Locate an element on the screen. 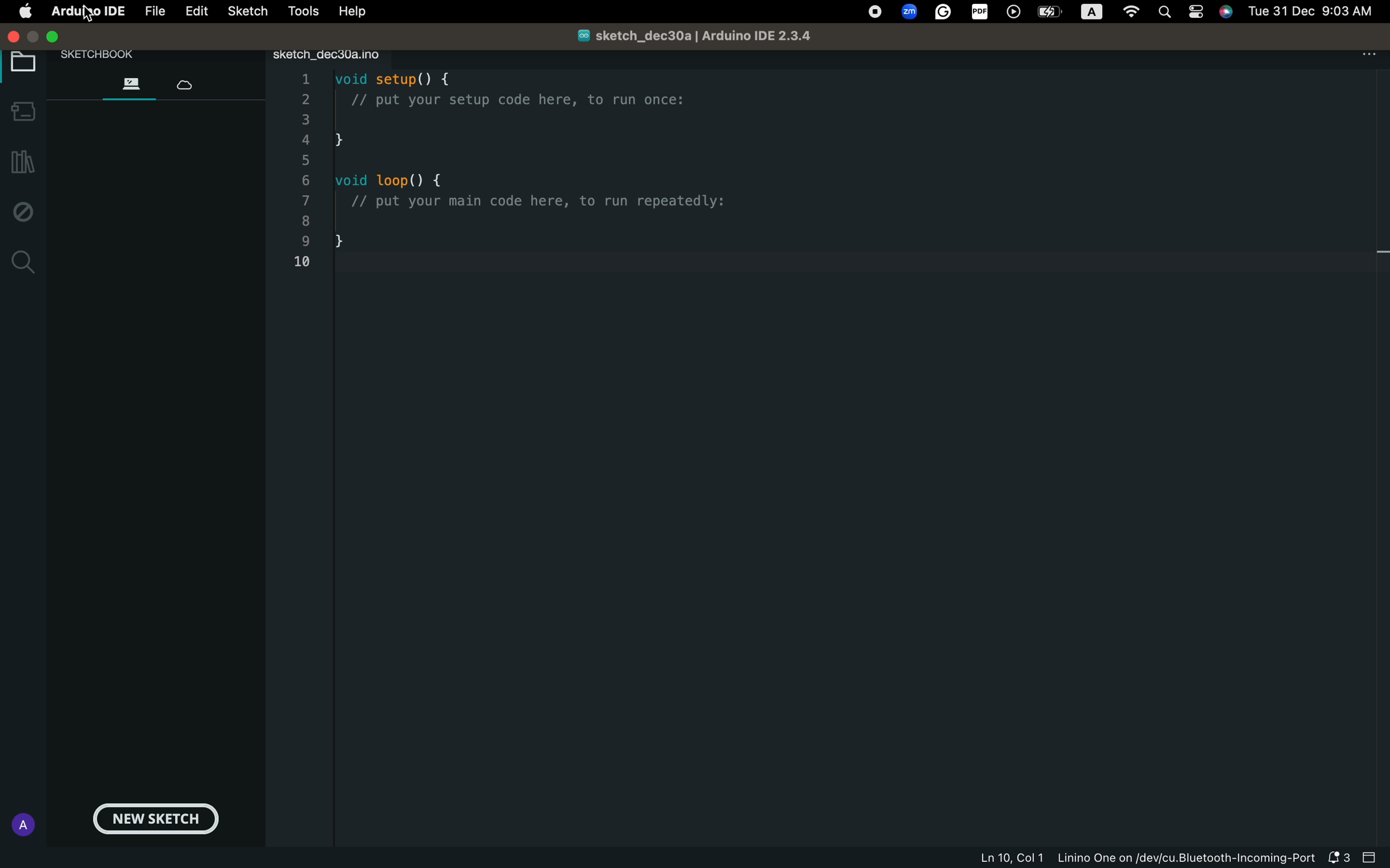 This screenshot has height=868, width=1390. Search is located at coordinates (1168, 11).